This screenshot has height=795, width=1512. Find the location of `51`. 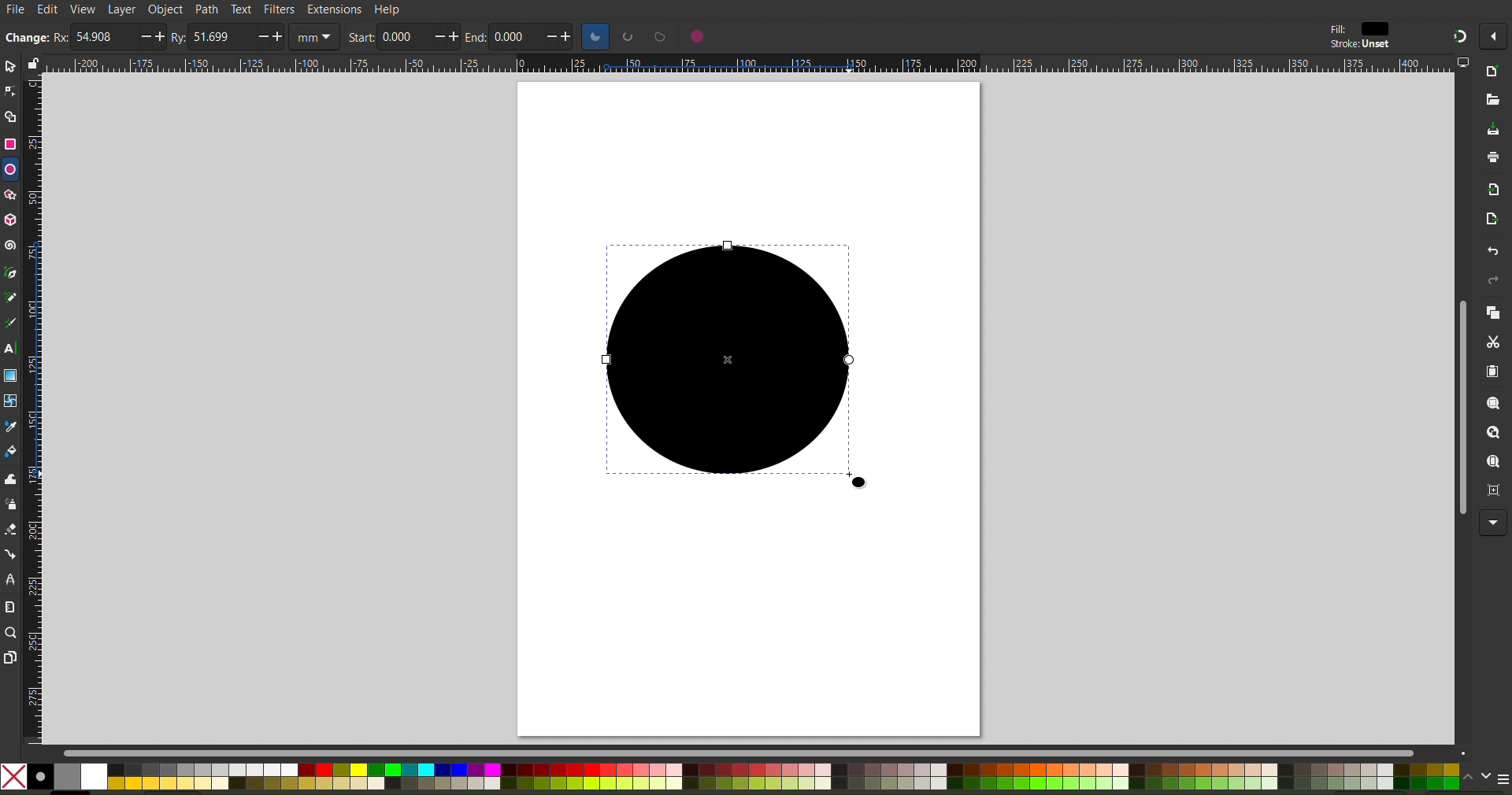

51 is located at coordinates (219, 37).